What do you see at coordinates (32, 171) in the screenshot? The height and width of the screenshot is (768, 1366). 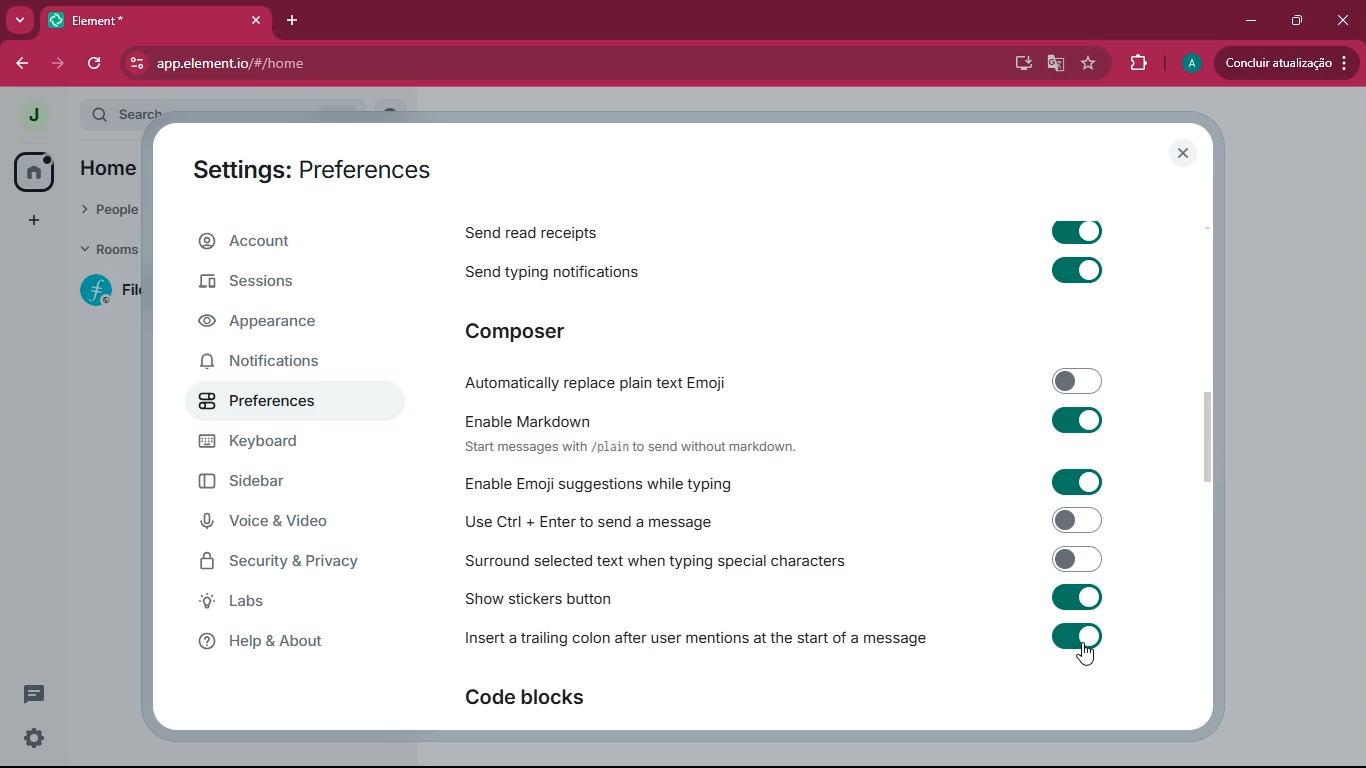 I see `home` at bounding box center [32, 171].